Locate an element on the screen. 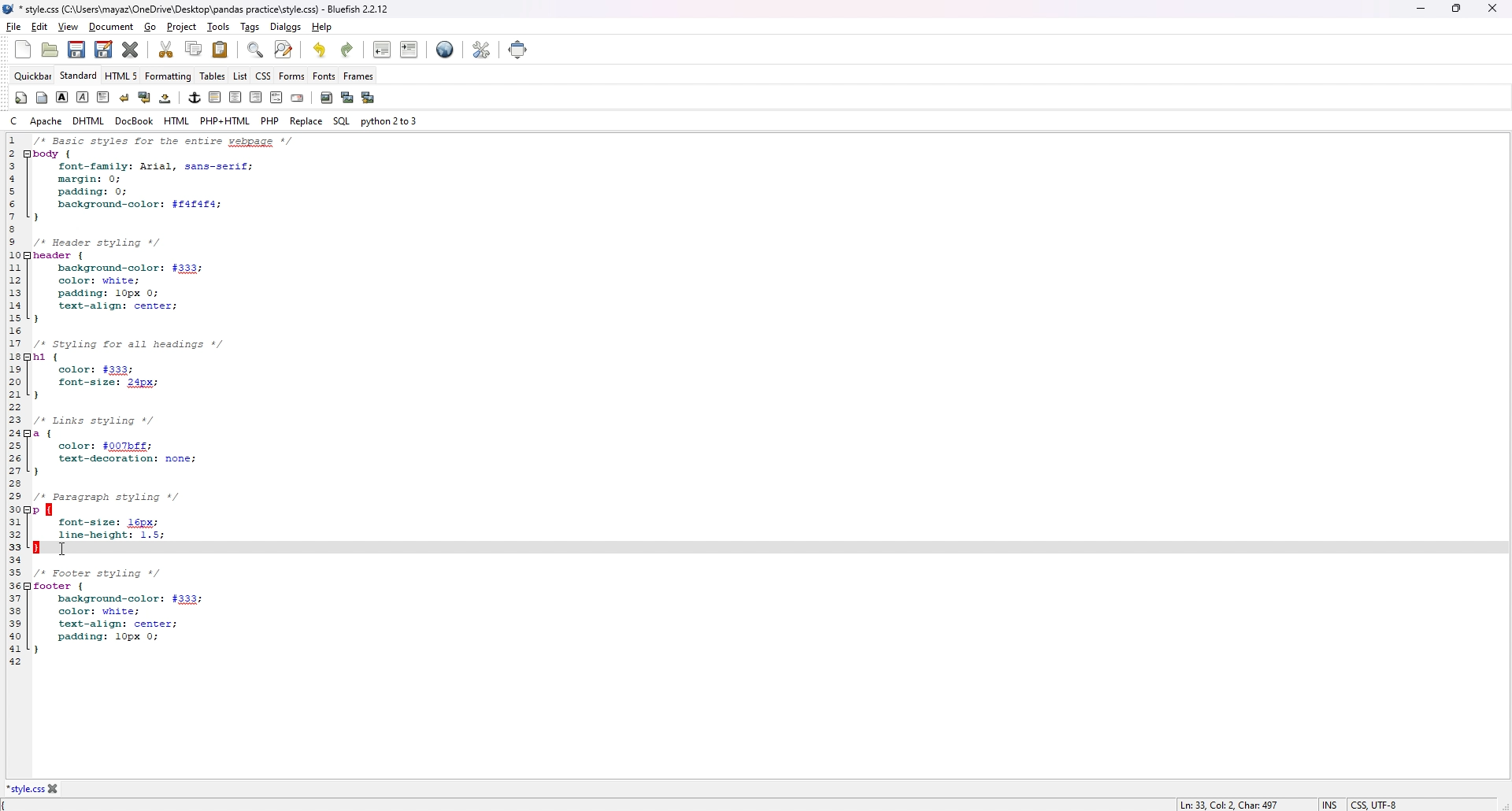 The height and width of the screenshot is (811, 1512). edit is located at coordinates (40, 25).